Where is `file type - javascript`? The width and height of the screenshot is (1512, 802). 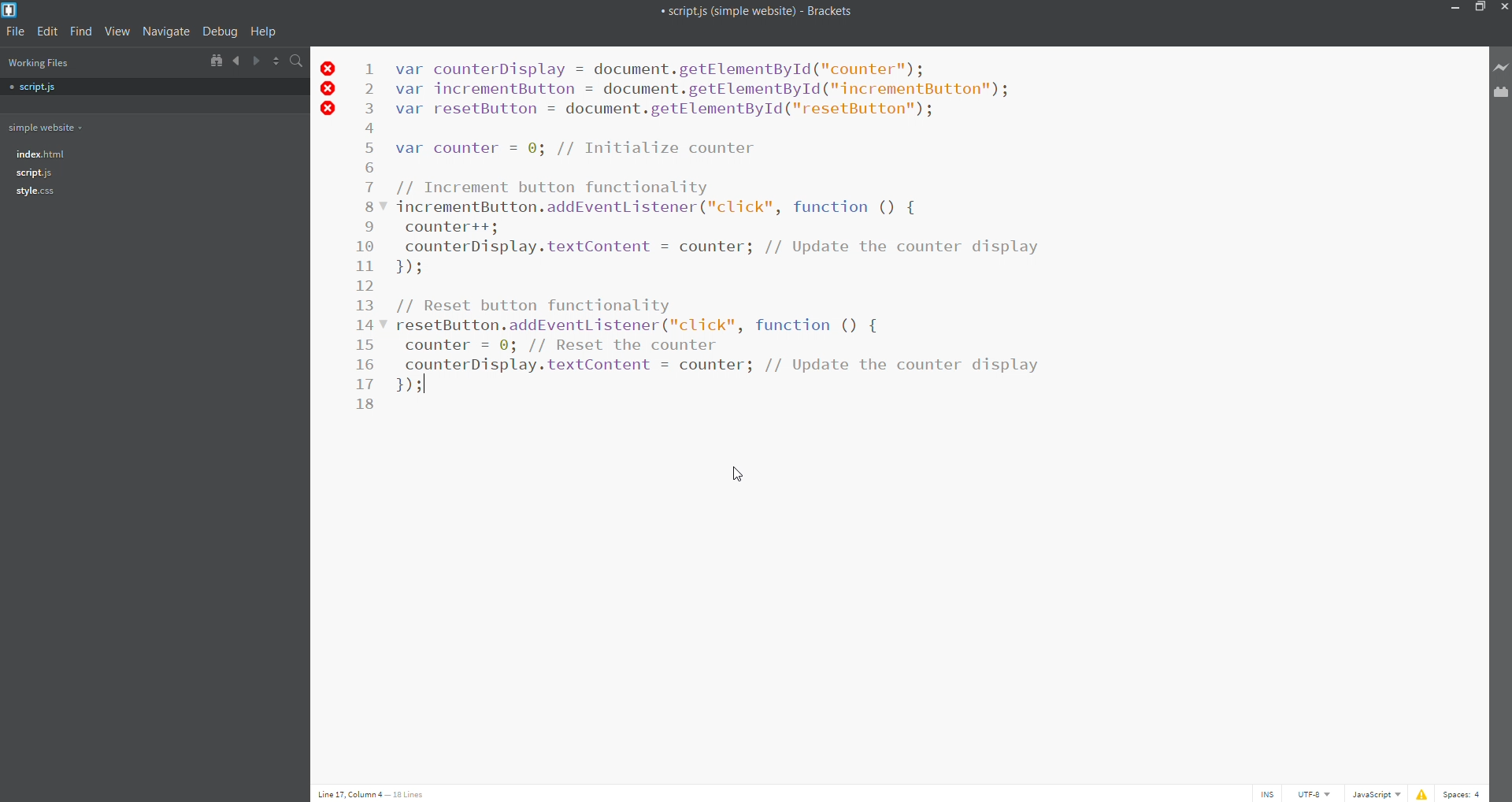
file type - javascript is located at coordinates (1375, 793).